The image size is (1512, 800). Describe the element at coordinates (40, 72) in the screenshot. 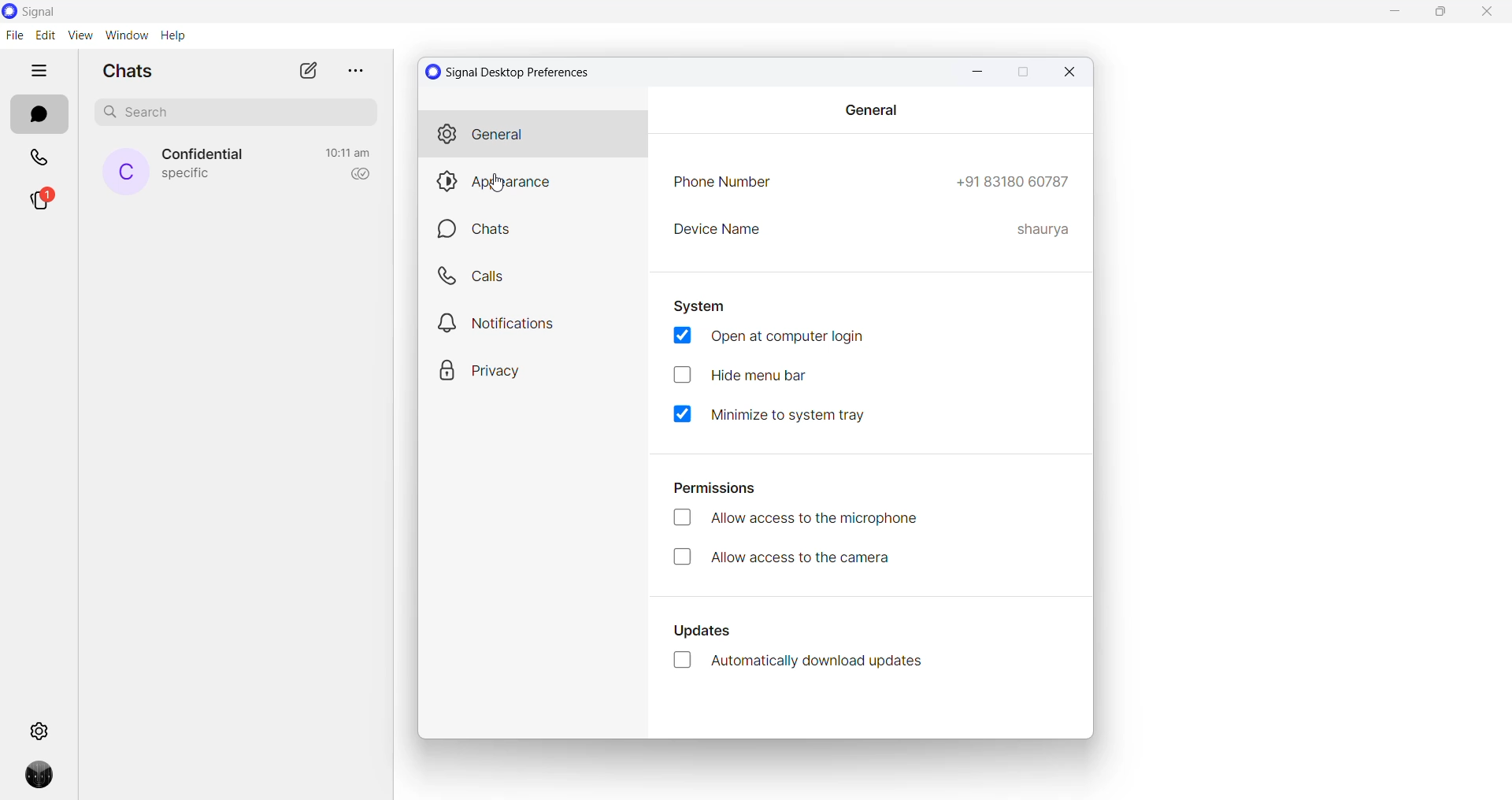

I see `hide tabs` at that location.